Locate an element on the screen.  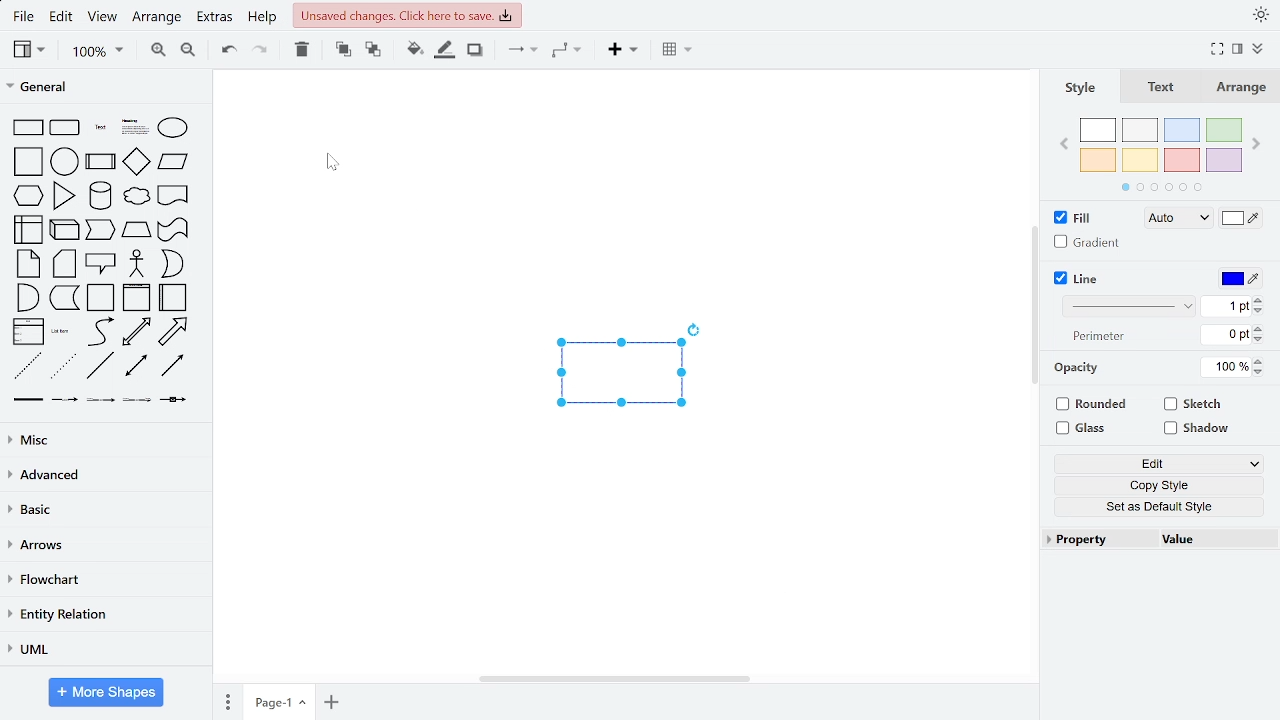
waypoints is located at coordinates (568, 52).